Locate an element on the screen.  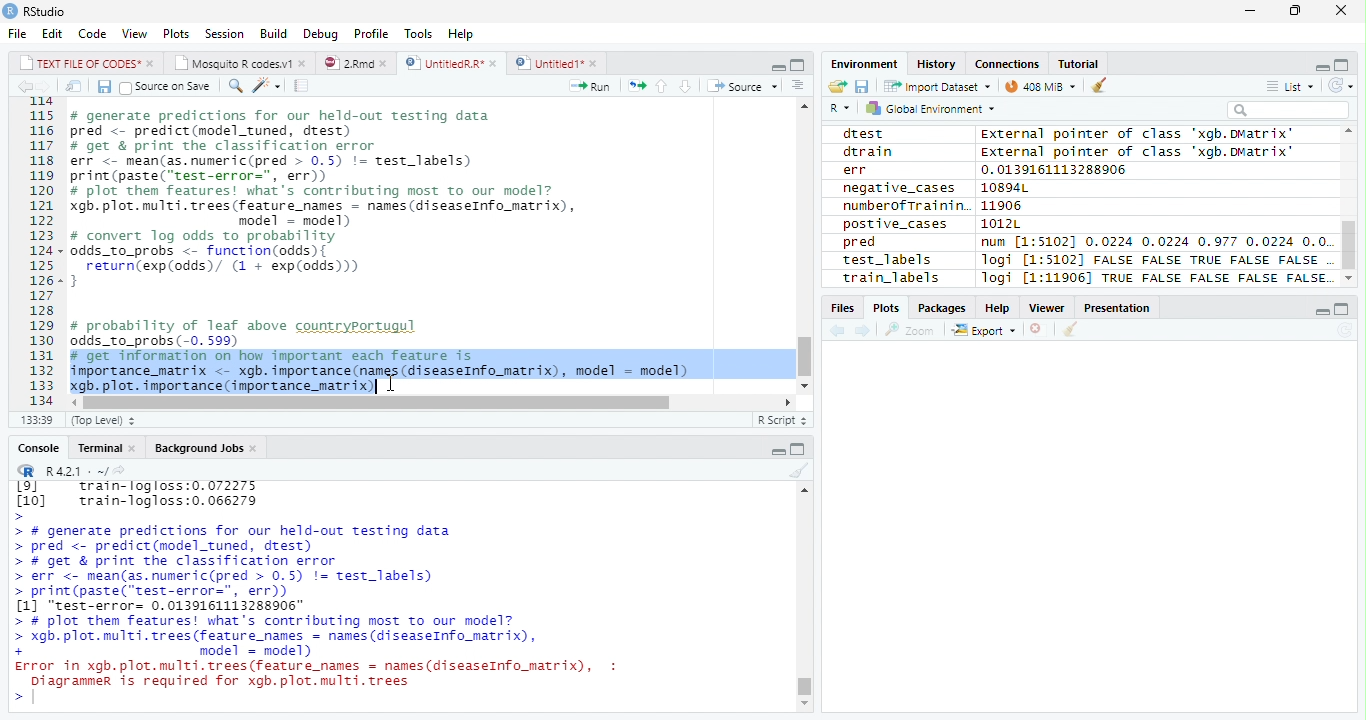
 Untitled1*  is located at coordinates (557, 62).